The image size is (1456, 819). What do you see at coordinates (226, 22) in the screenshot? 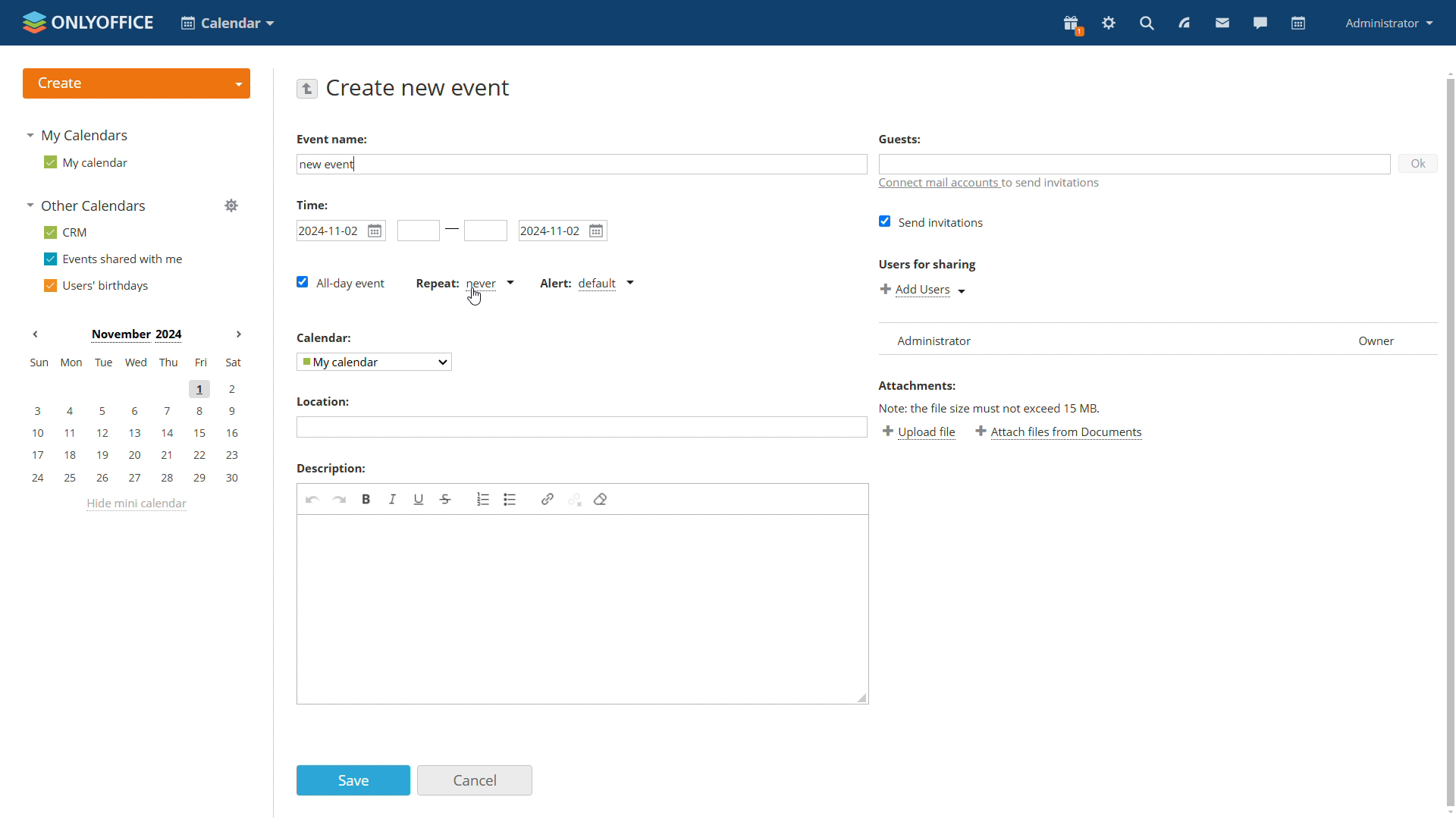
I see `select application` at bounding box center [226, 22].